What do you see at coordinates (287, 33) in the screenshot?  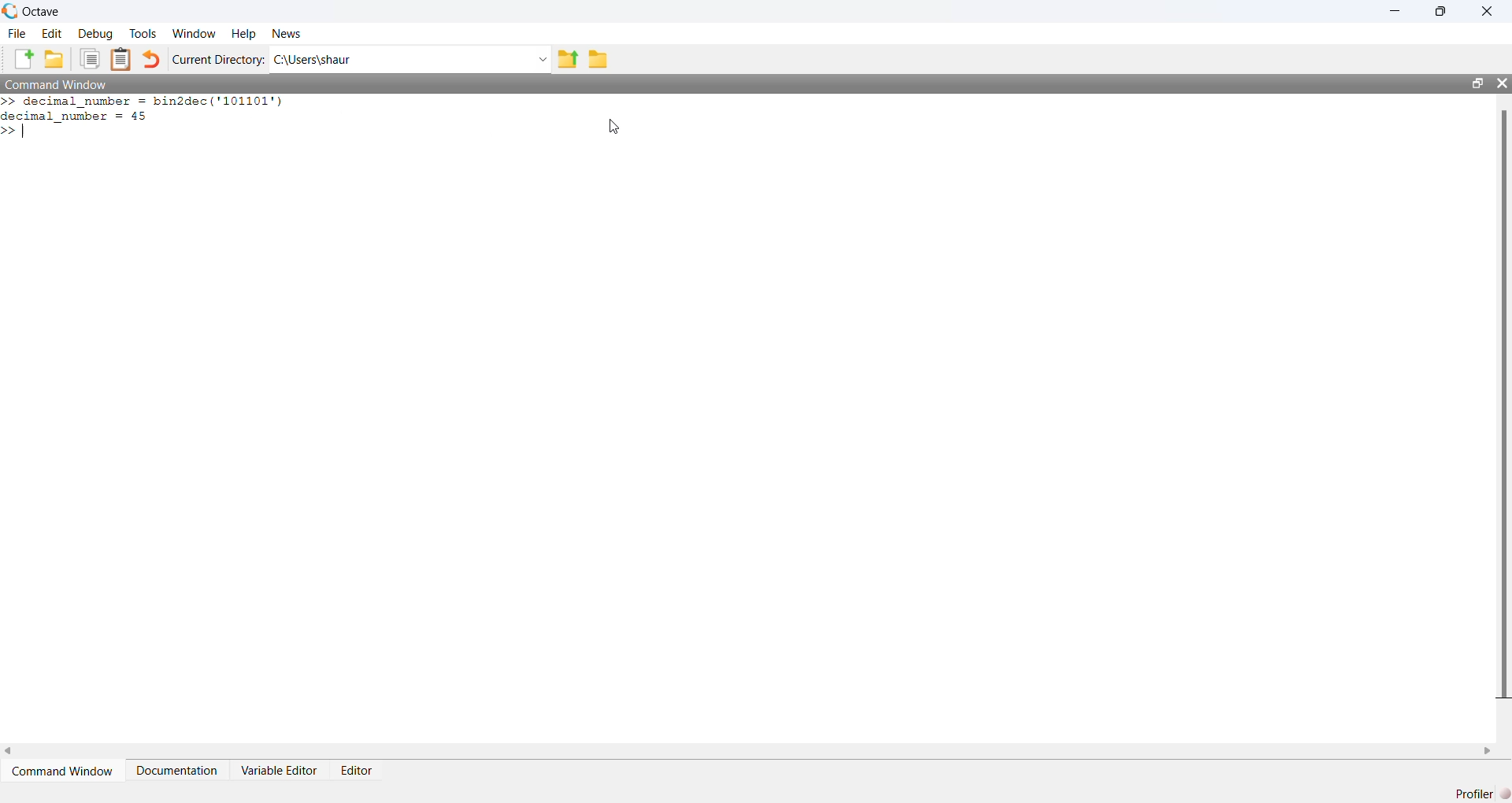 I see `news` at bounding box center [287, 33].